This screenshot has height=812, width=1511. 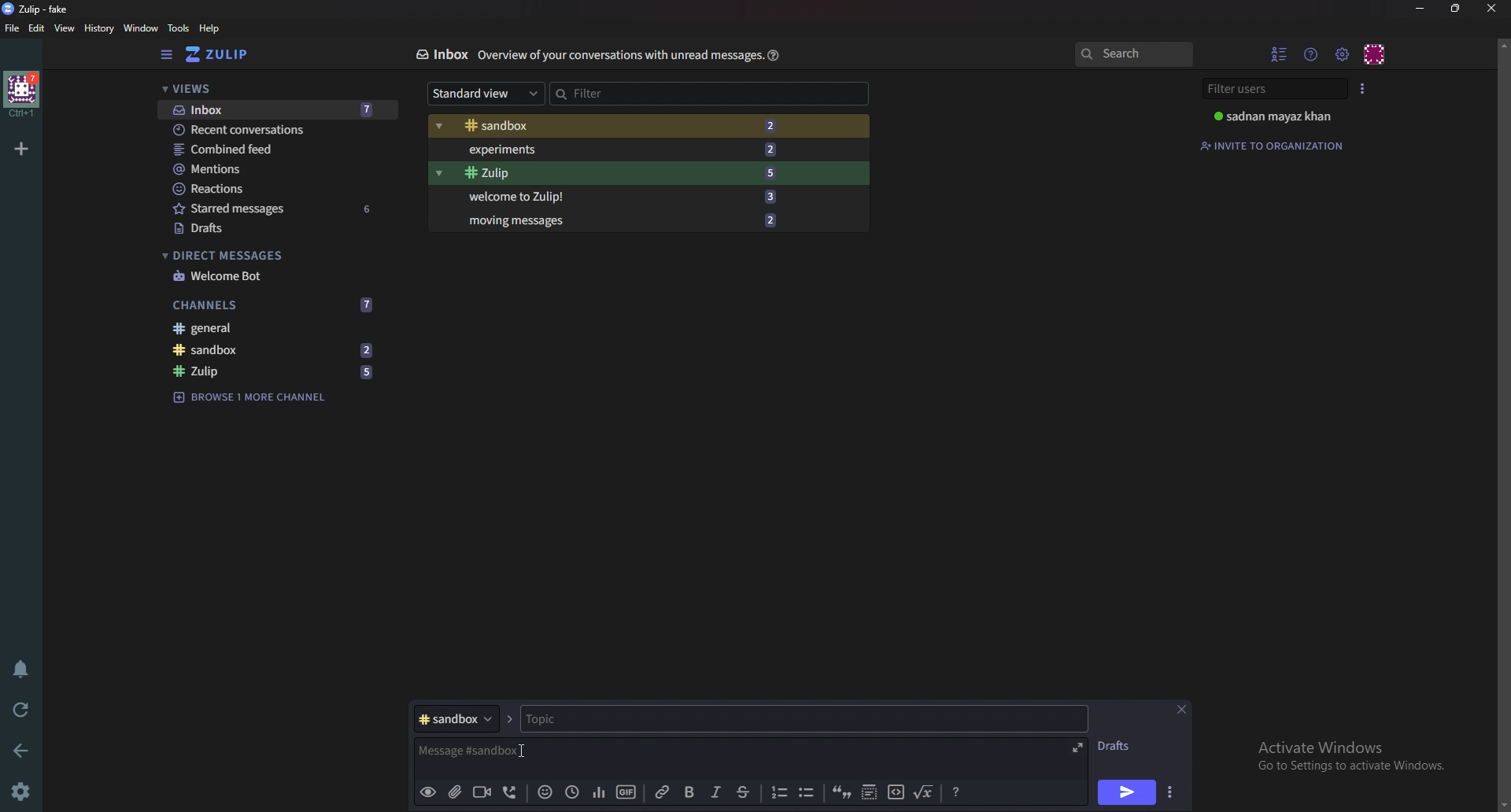 I want to click on Compose message, so click(x=475, y=751).